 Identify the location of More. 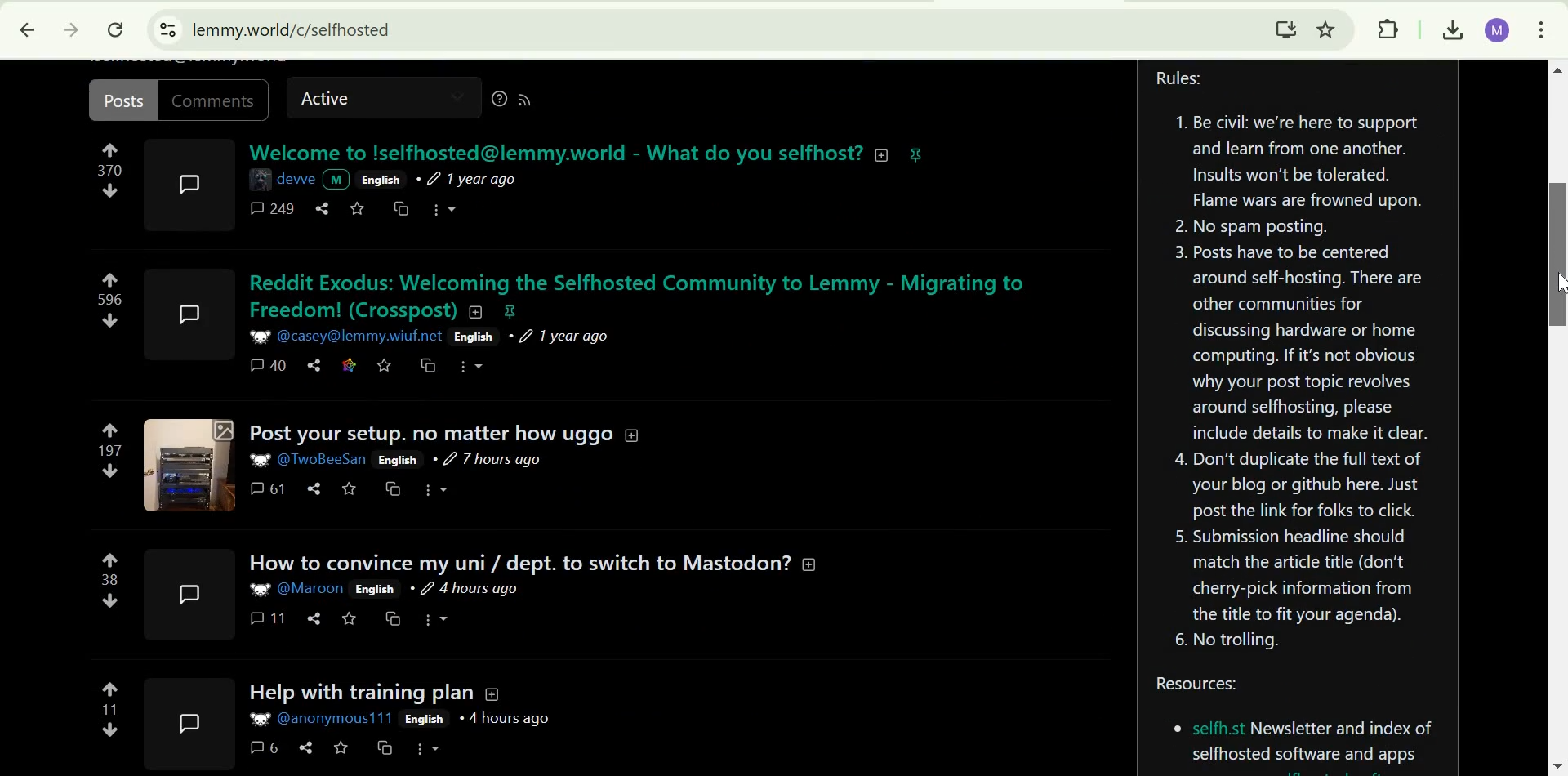
(435, 491).